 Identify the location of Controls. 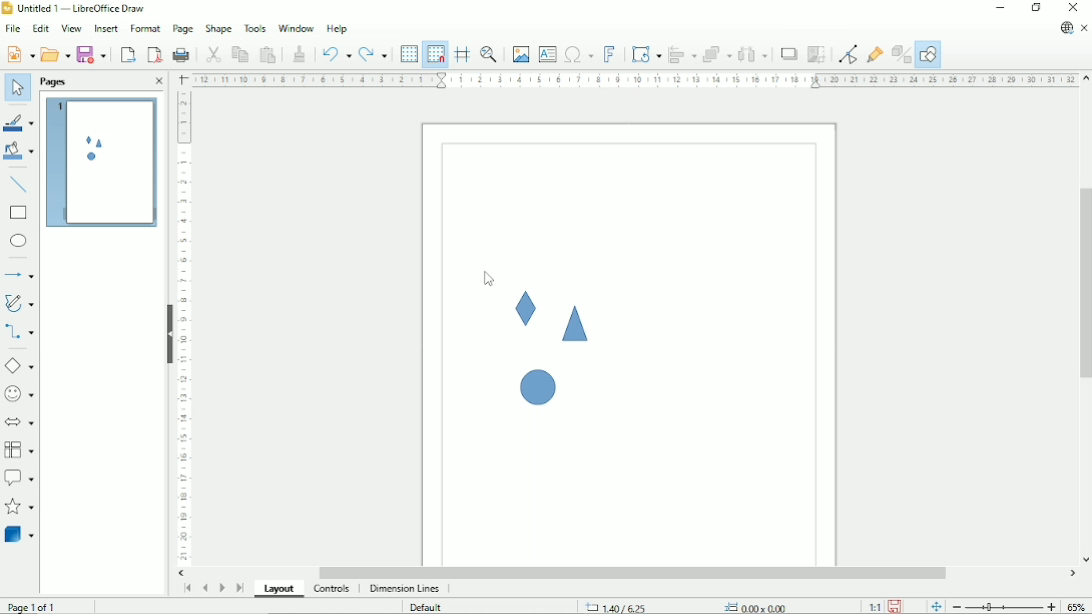
(332, 590).